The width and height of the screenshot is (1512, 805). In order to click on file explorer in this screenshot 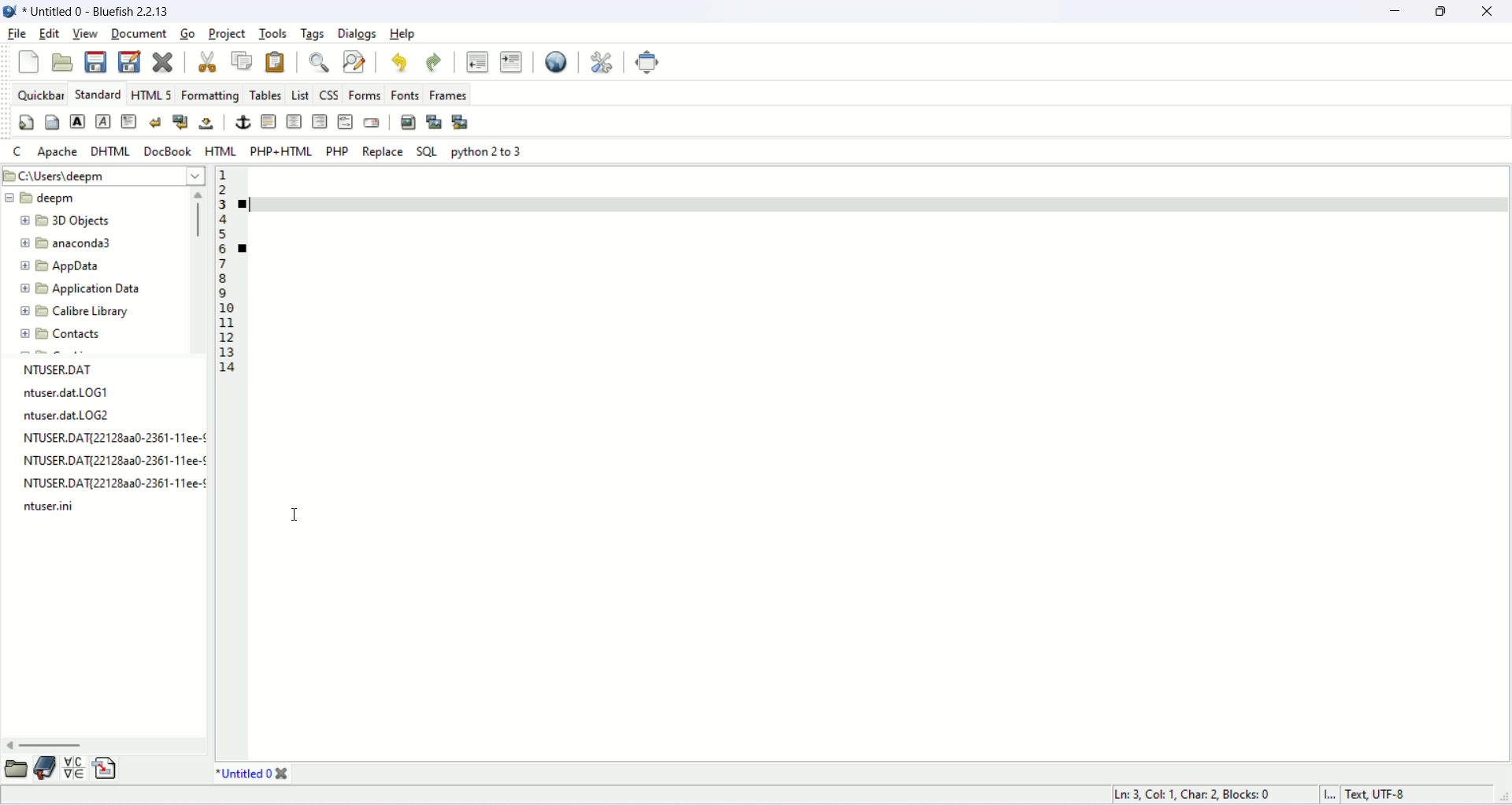, I will do `click(16, 773)`.